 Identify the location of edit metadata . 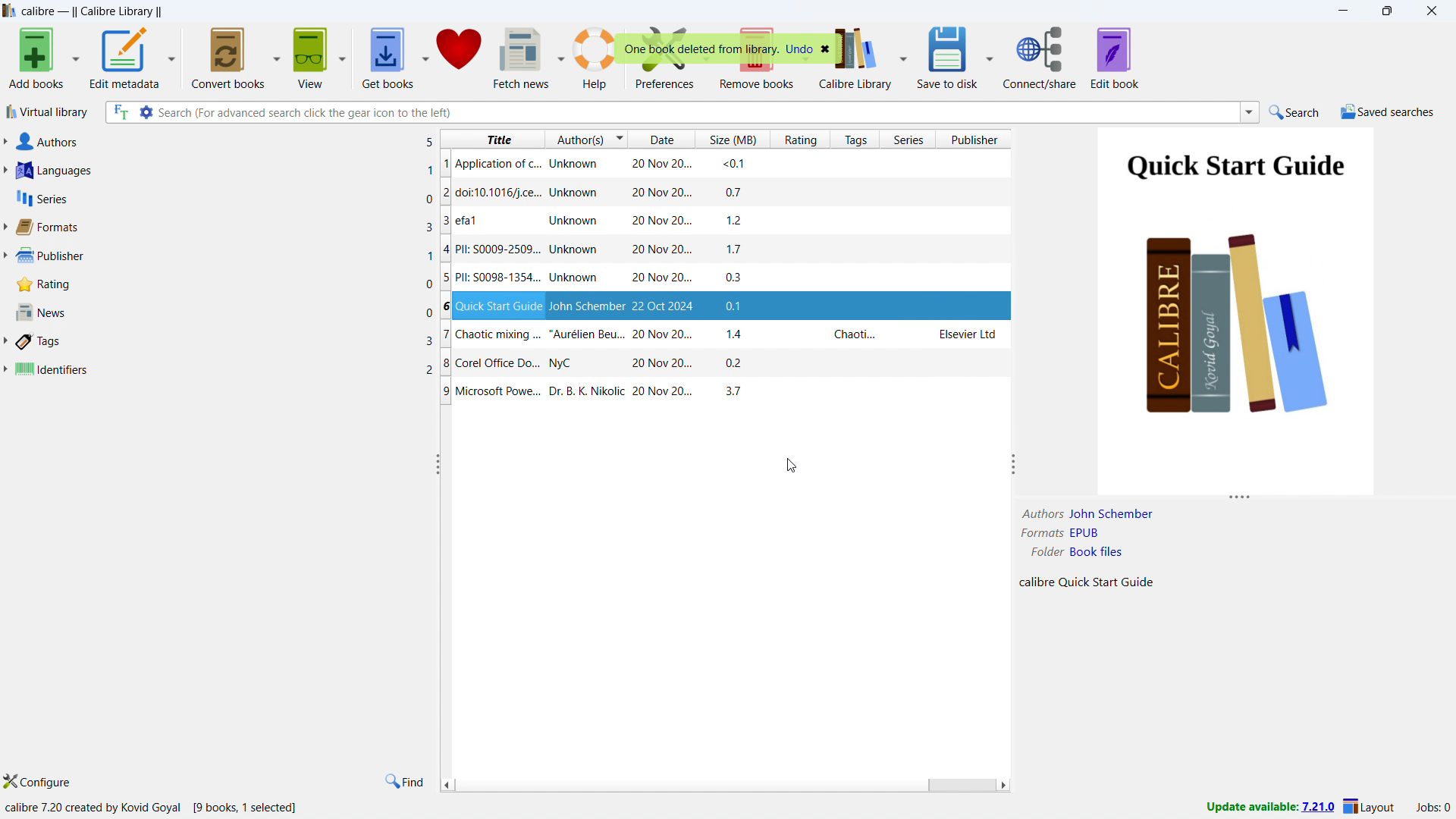
(125, 56).